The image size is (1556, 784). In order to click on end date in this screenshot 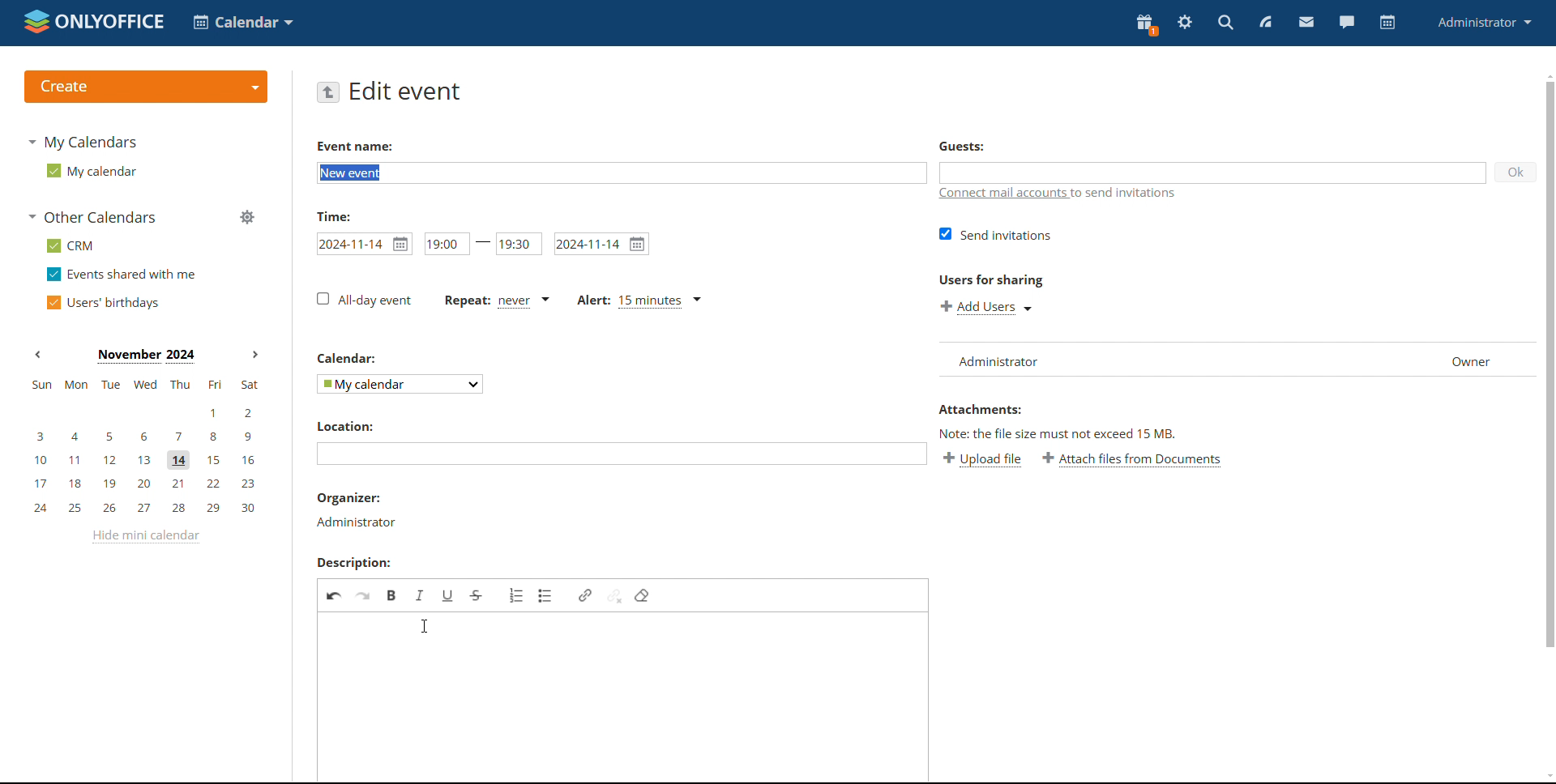, I will do `click(600, 245)`.